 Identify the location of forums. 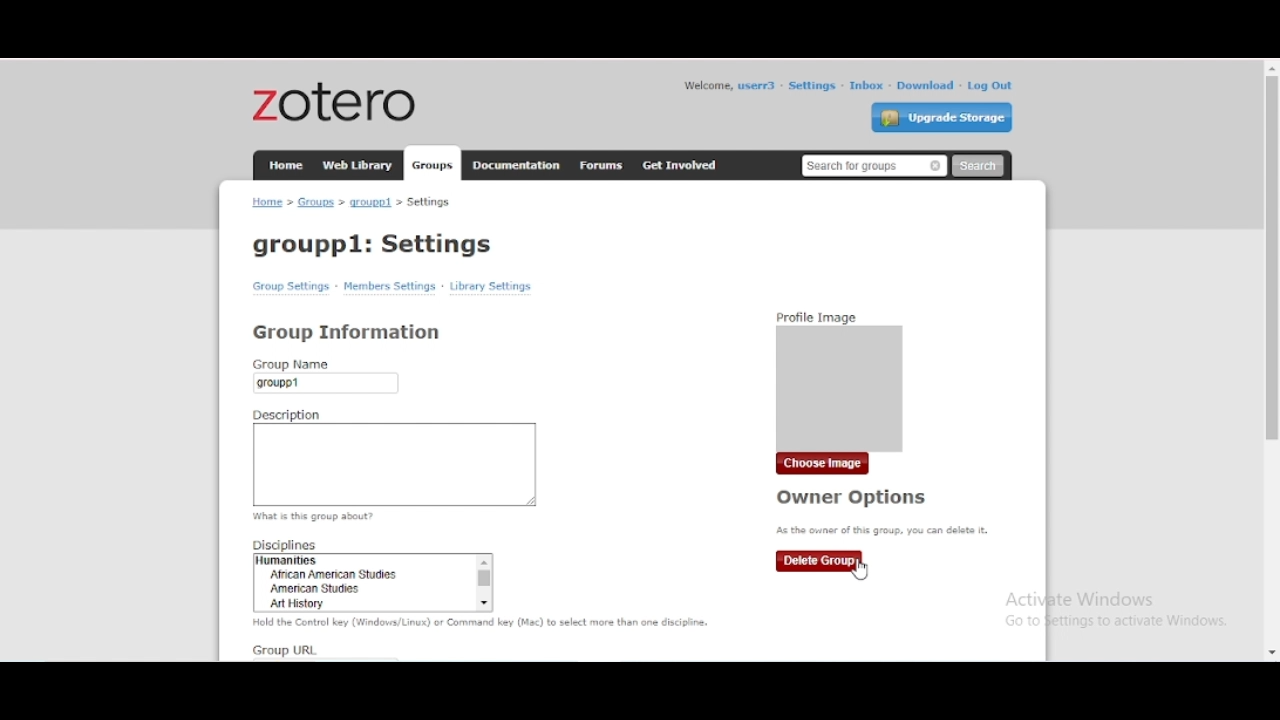
(602, 165).